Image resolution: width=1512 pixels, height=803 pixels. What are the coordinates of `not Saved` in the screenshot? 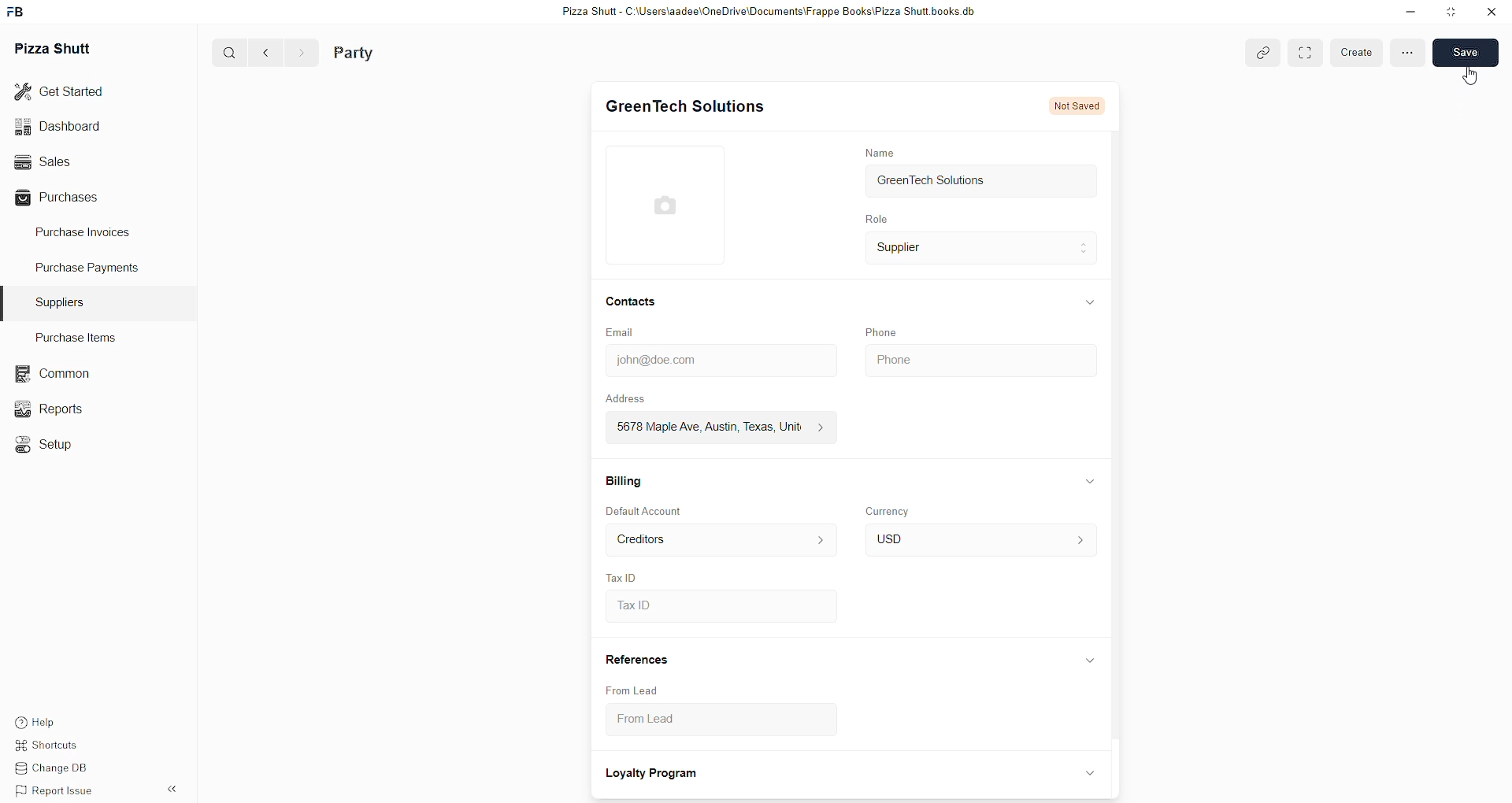 It's located at (1079, 107).